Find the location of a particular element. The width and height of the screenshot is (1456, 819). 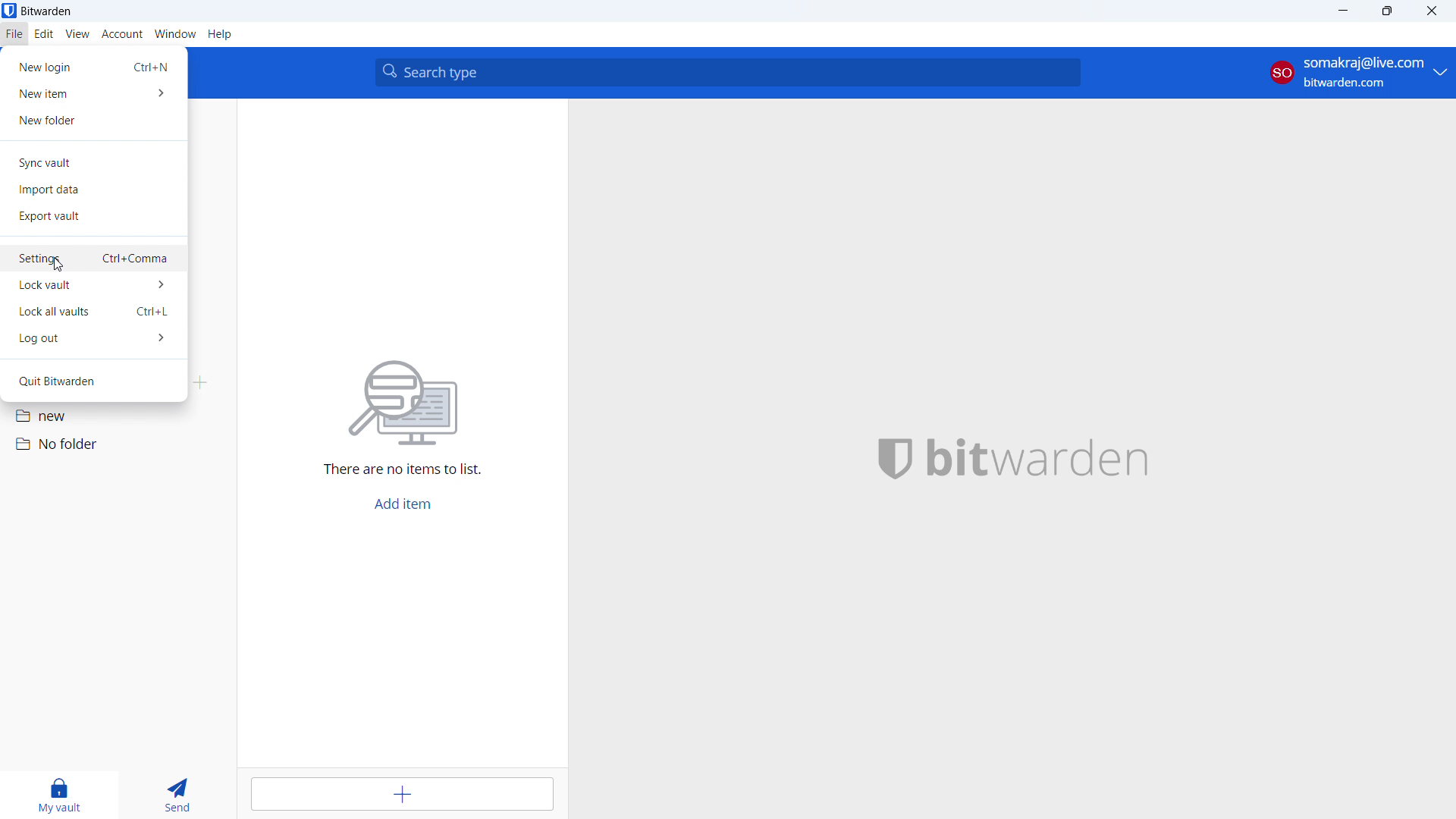

lock all vaults is located at coordinates (94, 312).